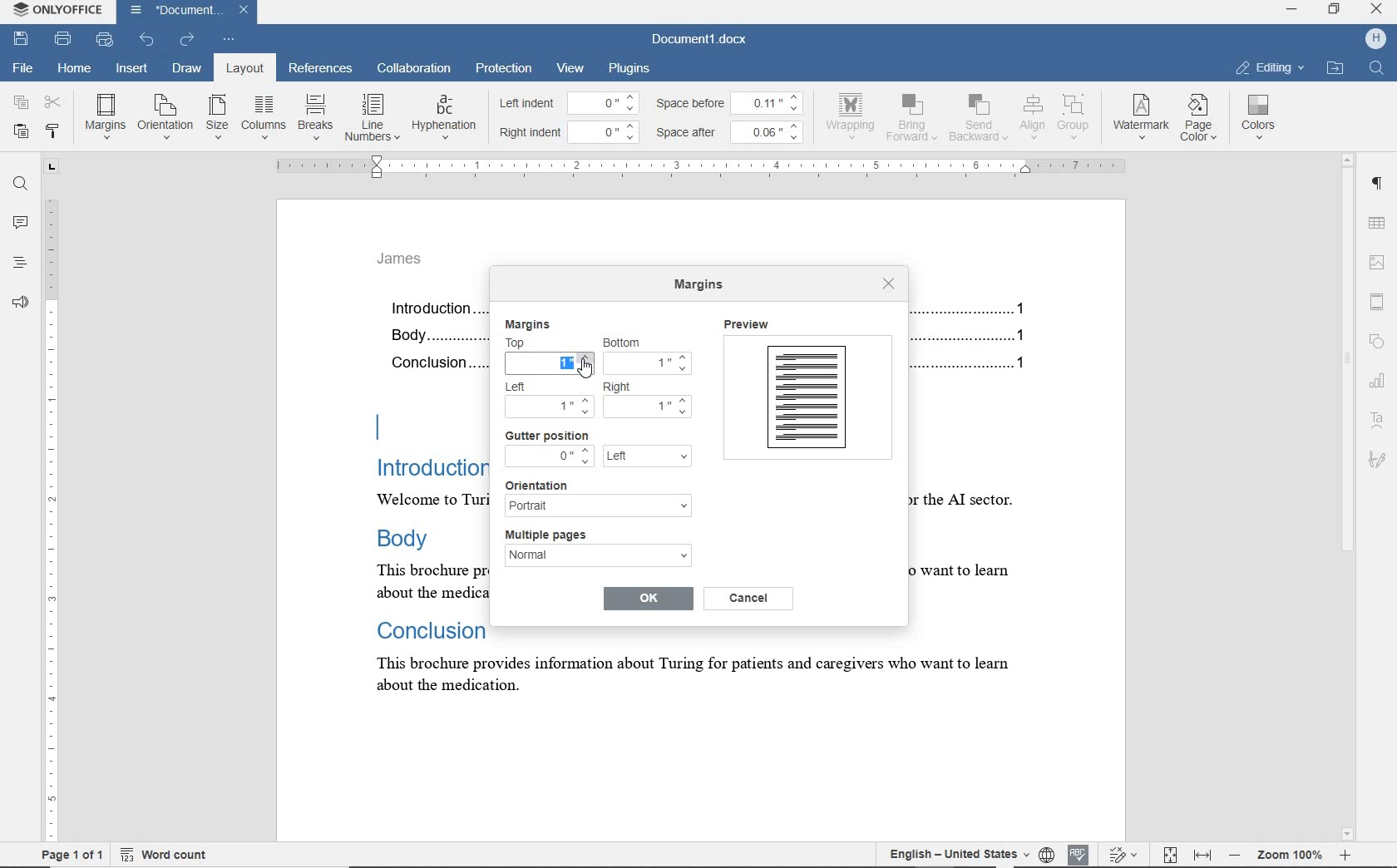 This screenshot has width=1397, height=868. Describe the element at coordinates (1290, 854) in the screenshot. I see `zoom out or zoom in` at that location.